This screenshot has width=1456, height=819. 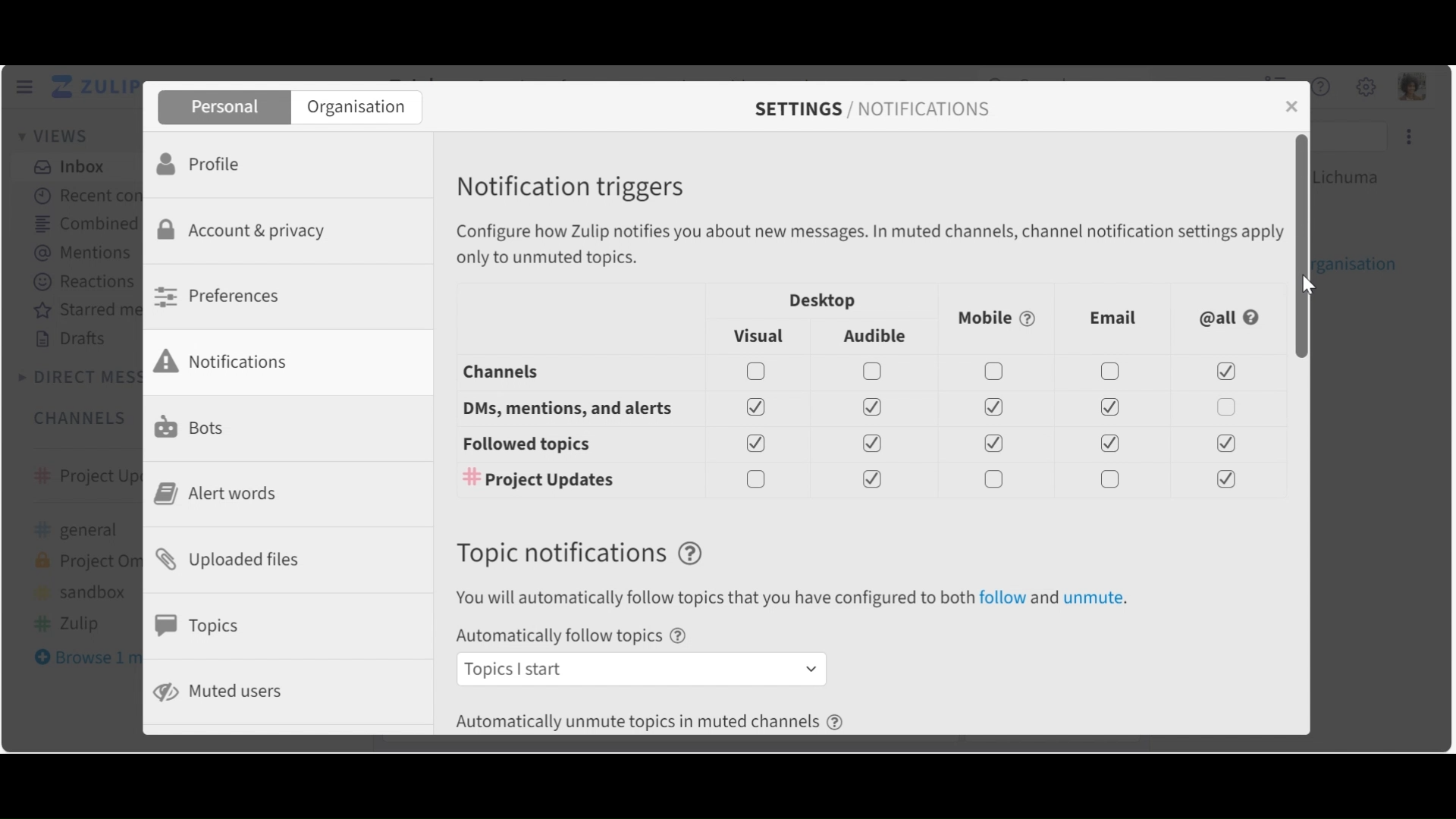 What do you see at coordinates (1230, 316) in the screenshot?
I see `@all` at bounding box center [1230, 316].